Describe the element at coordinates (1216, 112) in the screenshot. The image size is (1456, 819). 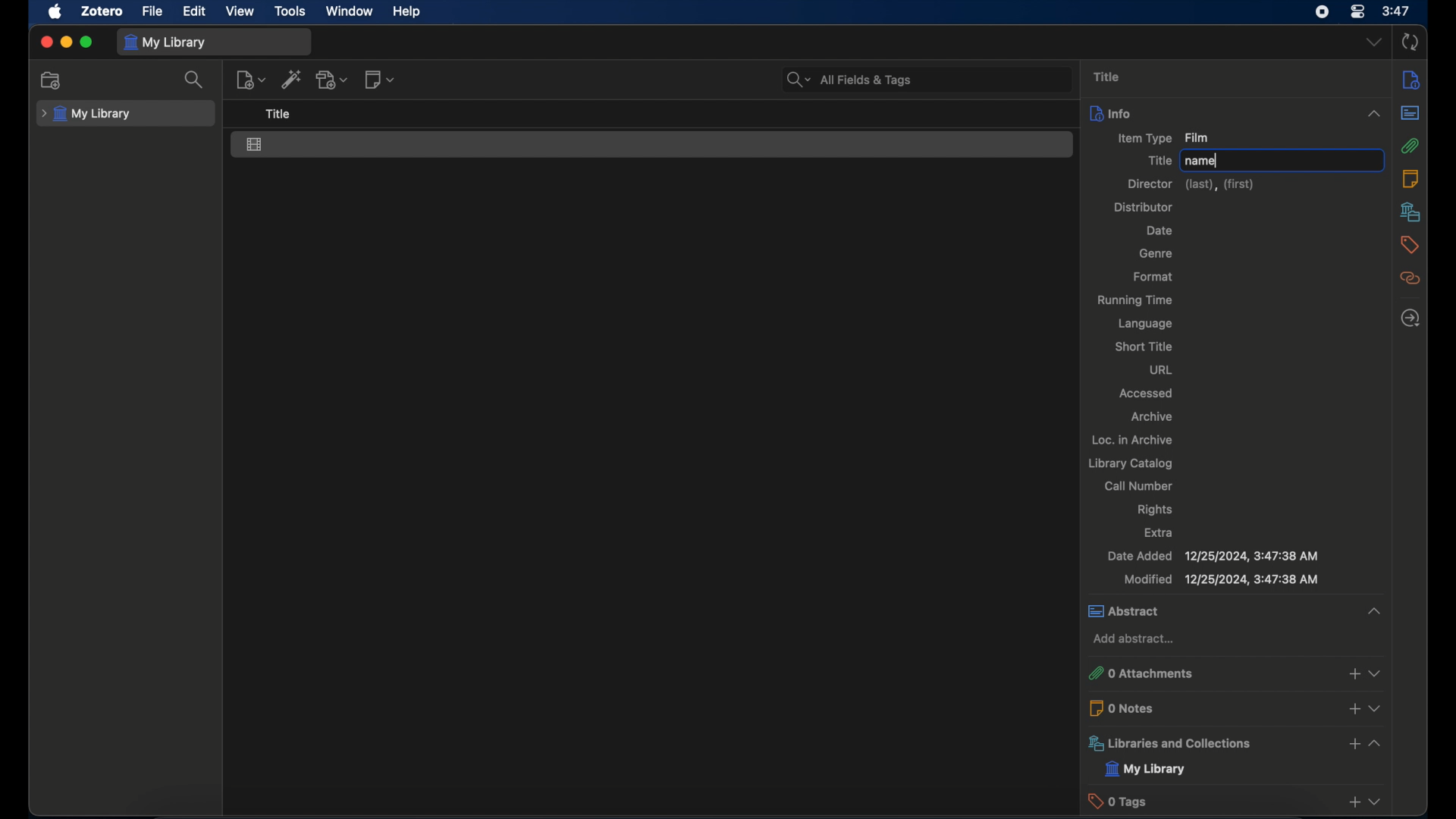
I see `info` at that location.